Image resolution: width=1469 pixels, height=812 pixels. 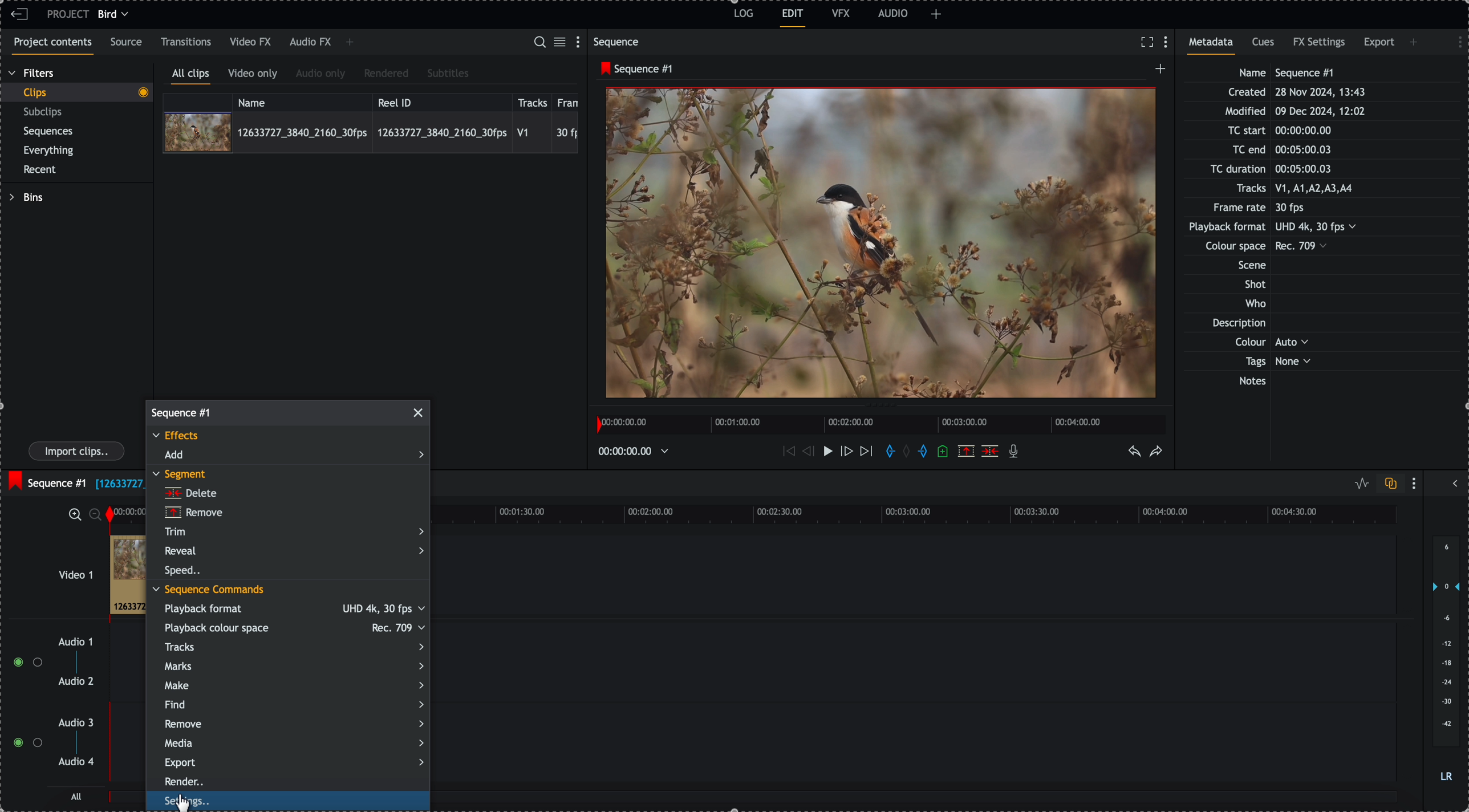 What do you see at coordinates (420, 413) in the screenshot?
I see `close` at bounding box center [420, 413].